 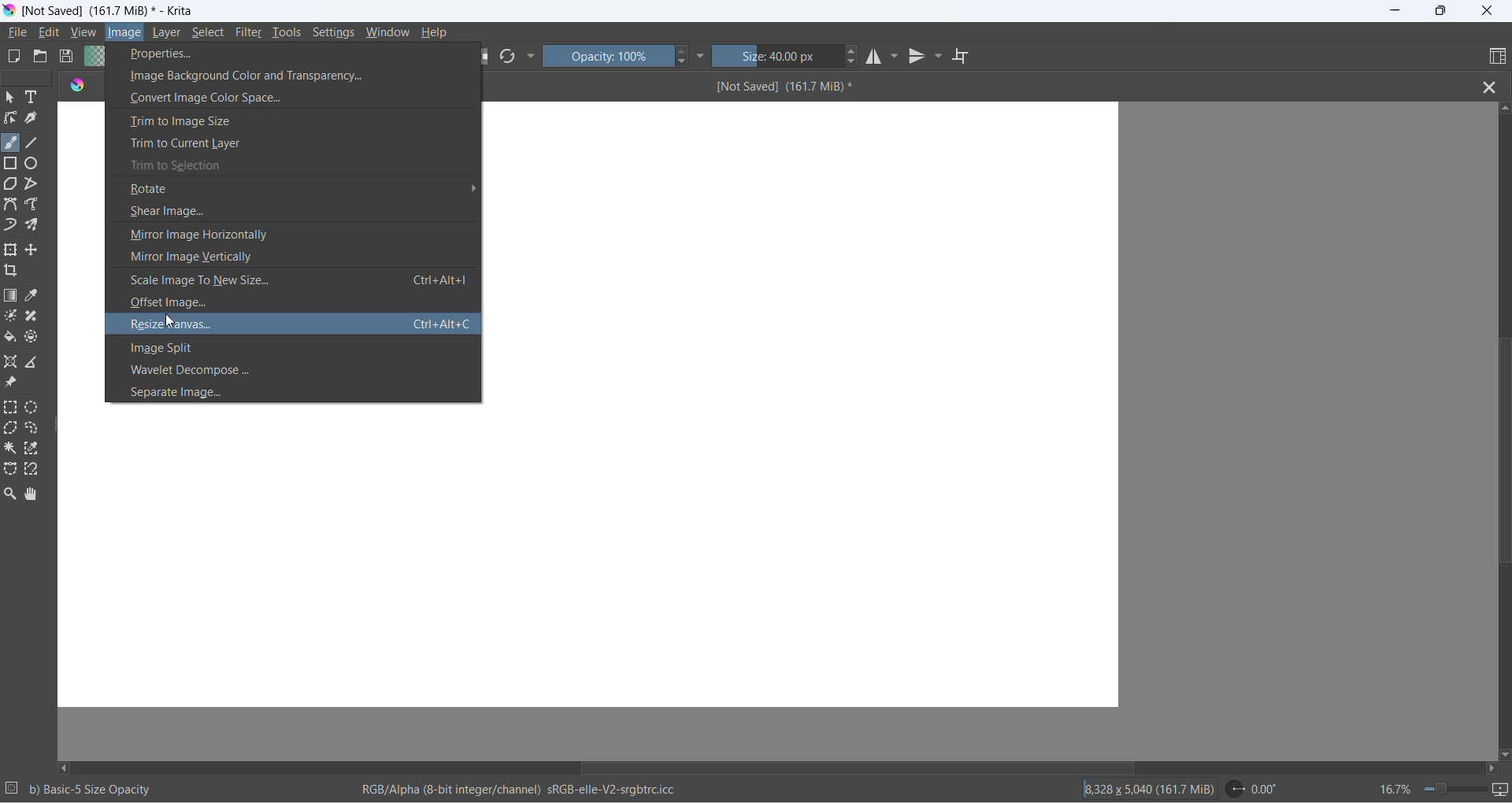 What do you see at coordinates (34, 451) in the screenshot?
I see `similar color selection tool` at bounding box center [34, 451].